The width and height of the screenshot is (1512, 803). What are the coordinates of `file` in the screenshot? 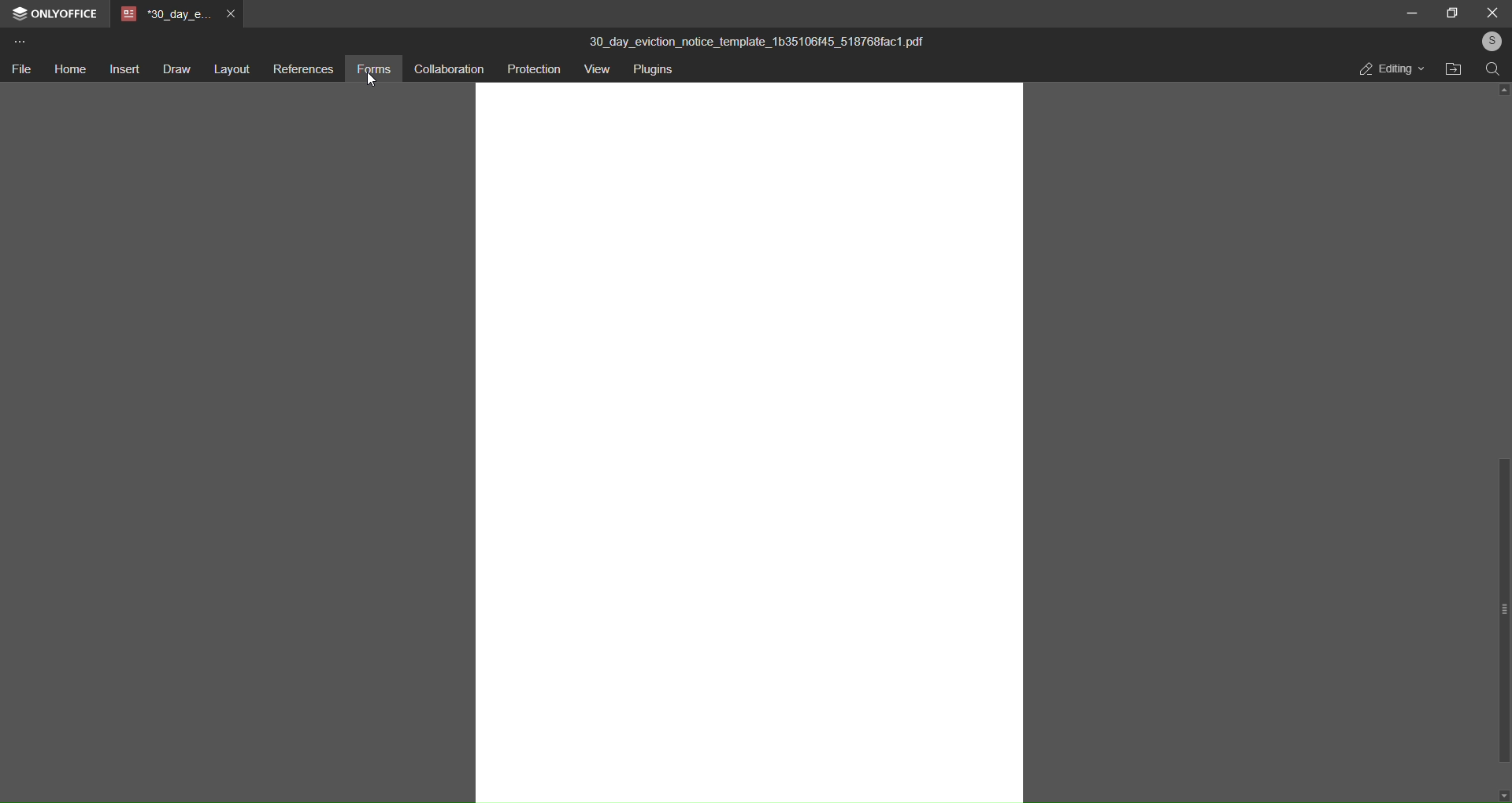 It's located at (20, 68).